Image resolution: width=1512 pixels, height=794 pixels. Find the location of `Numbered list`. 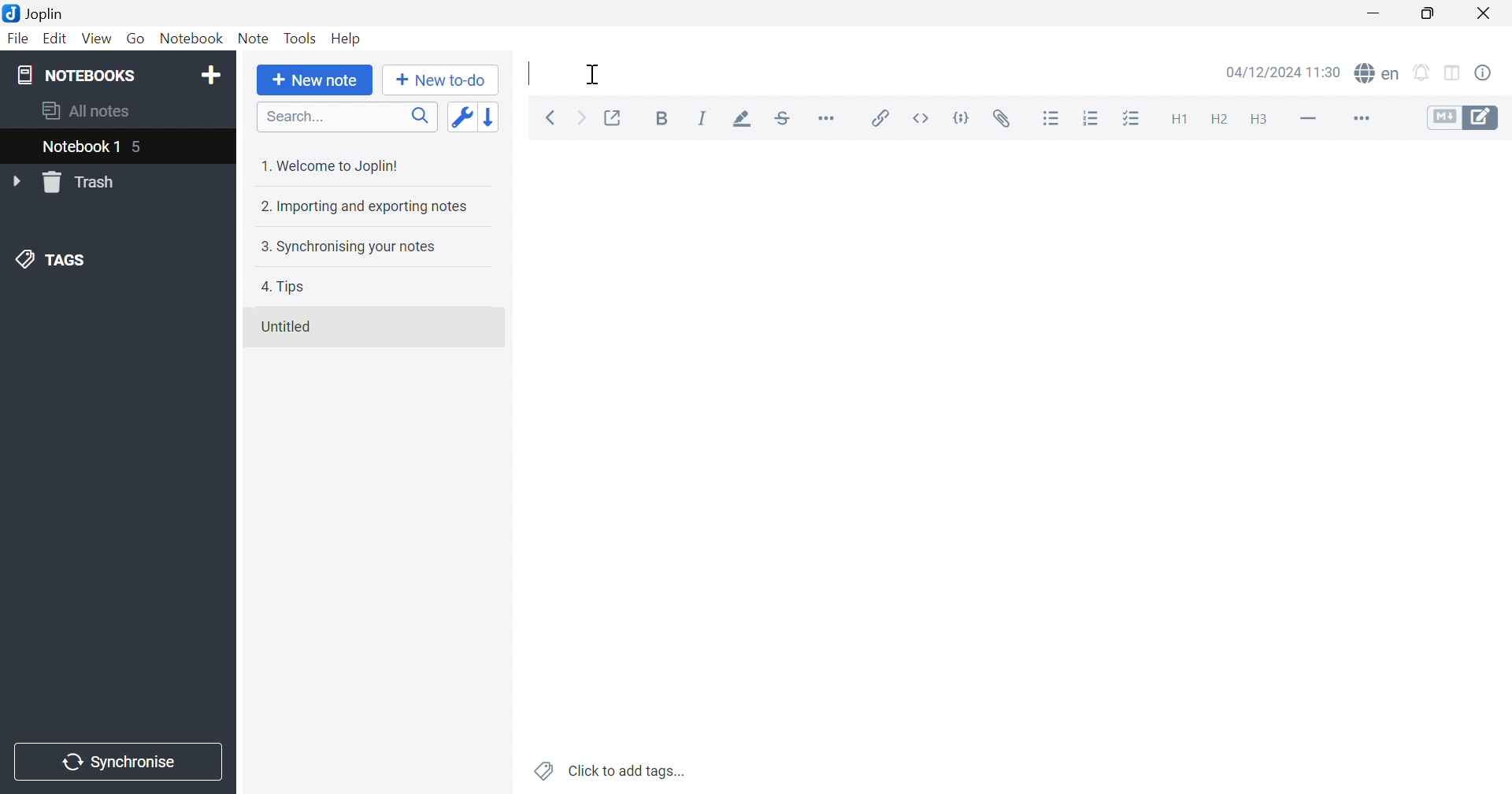

Numbered list is located at coordinates (1090, 118).